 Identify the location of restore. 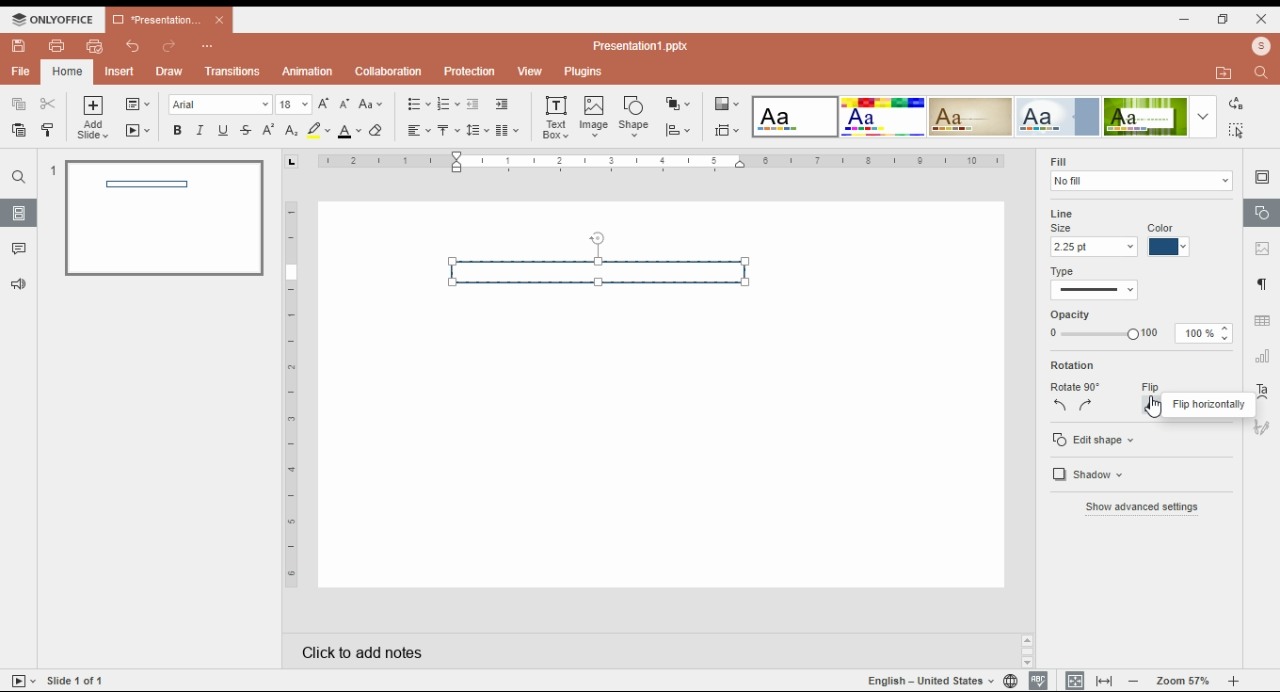
(1224, 20).